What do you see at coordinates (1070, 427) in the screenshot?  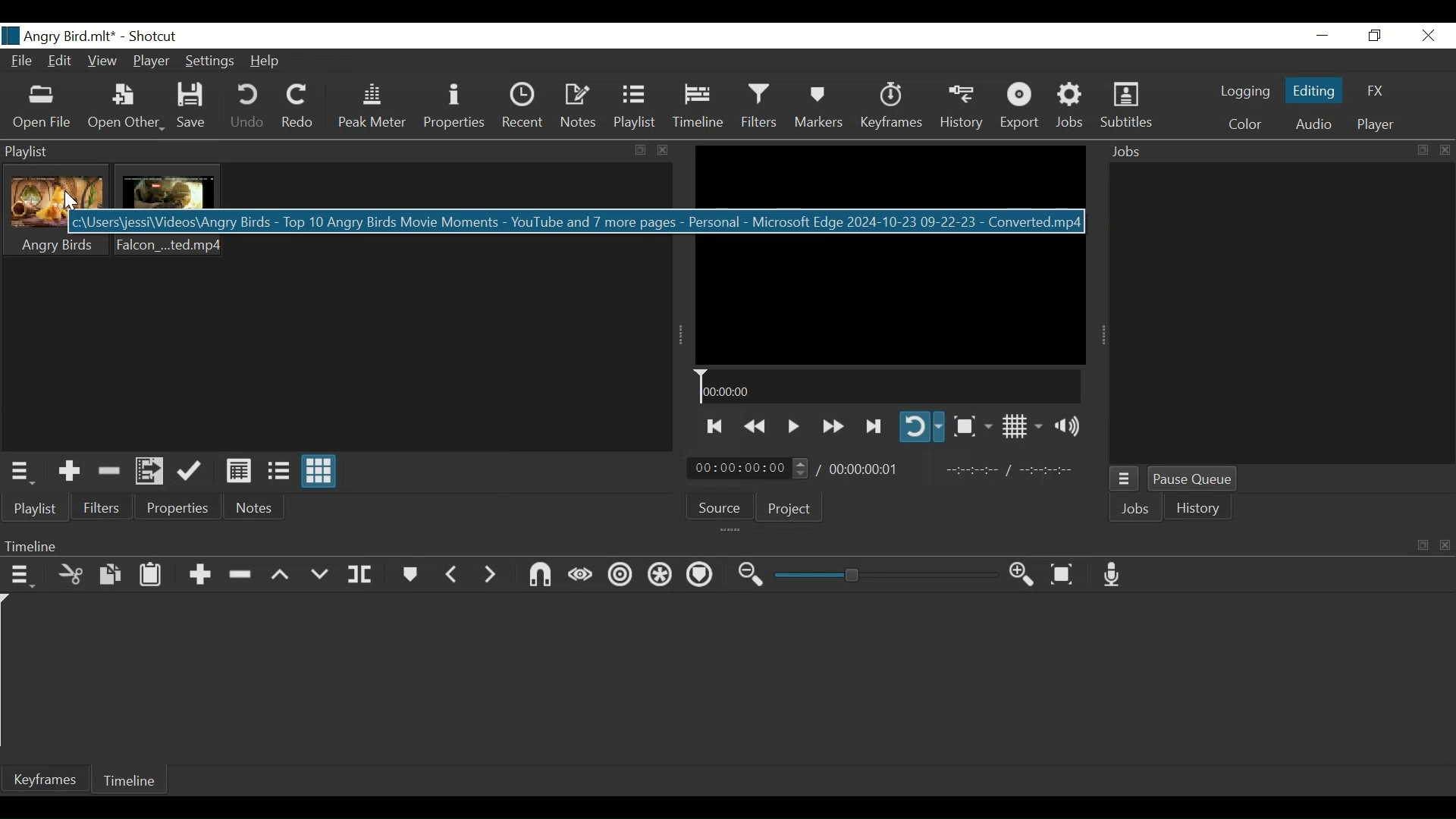 I see `Show volume control` at bounding box center [1070, 427].